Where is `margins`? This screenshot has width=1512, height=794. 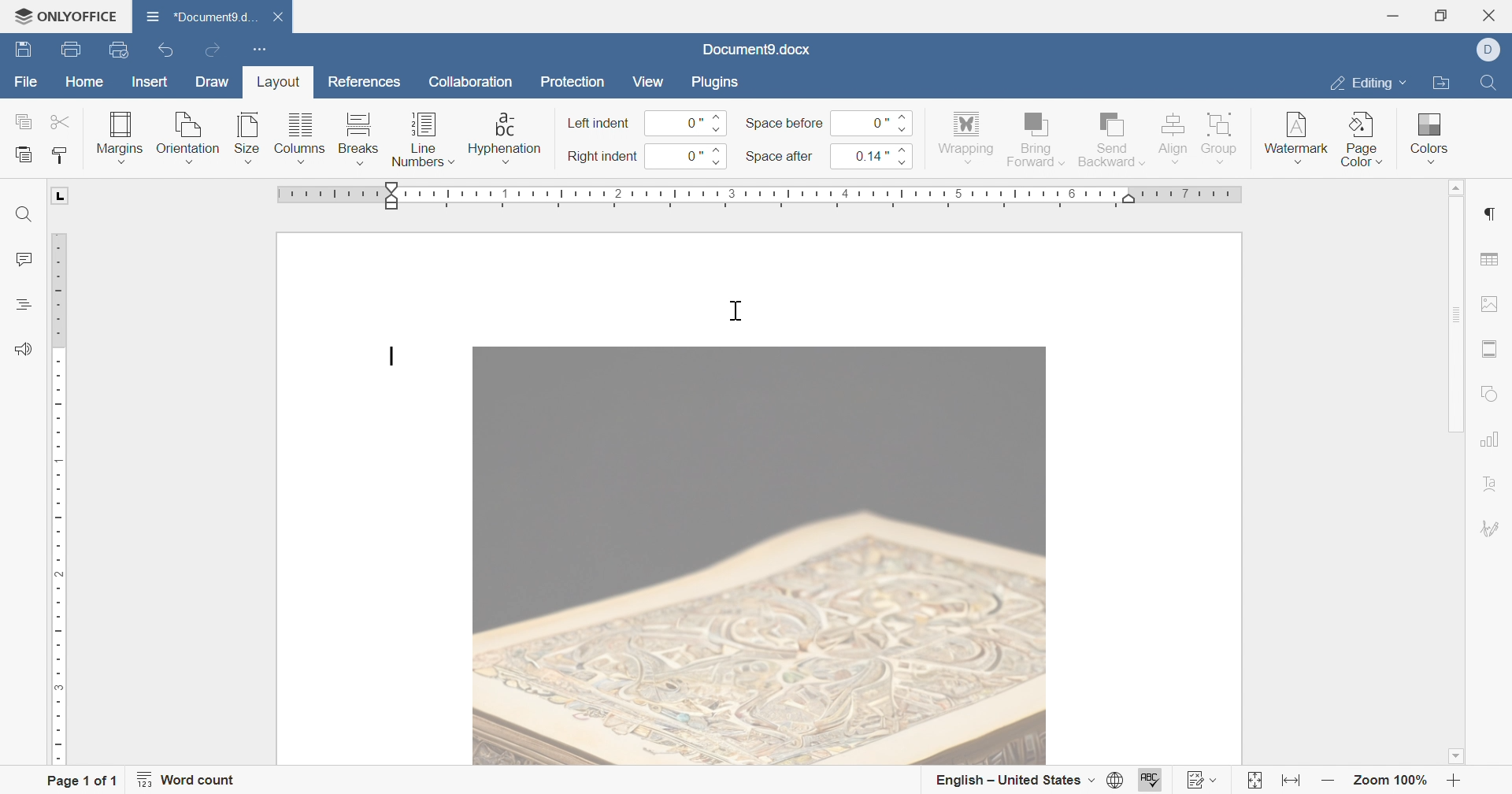 margins is located at coordinates (118, 136).